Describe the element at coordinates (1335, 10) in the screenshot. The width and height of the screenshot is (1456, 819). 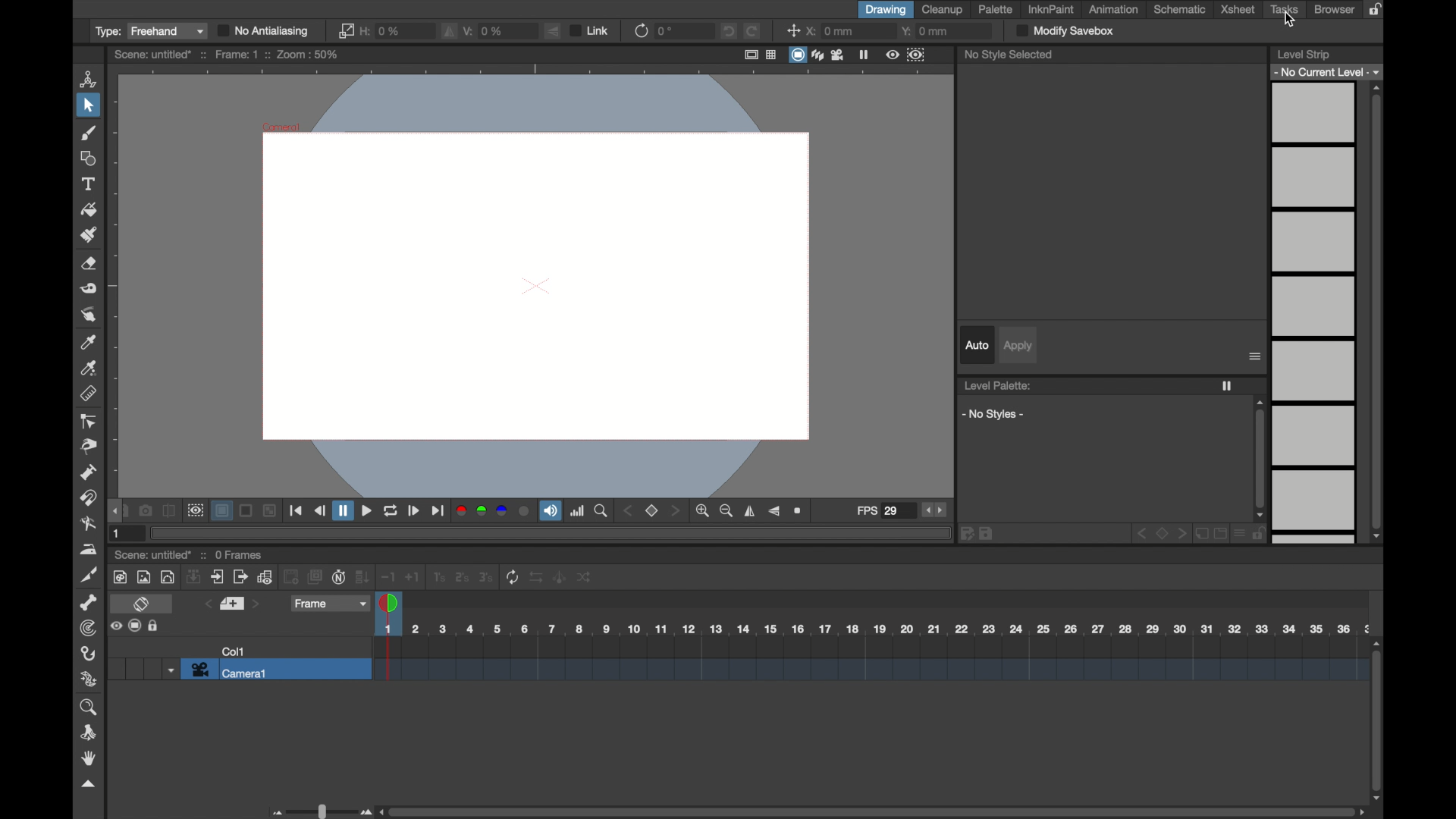
I see `browser` at that location.